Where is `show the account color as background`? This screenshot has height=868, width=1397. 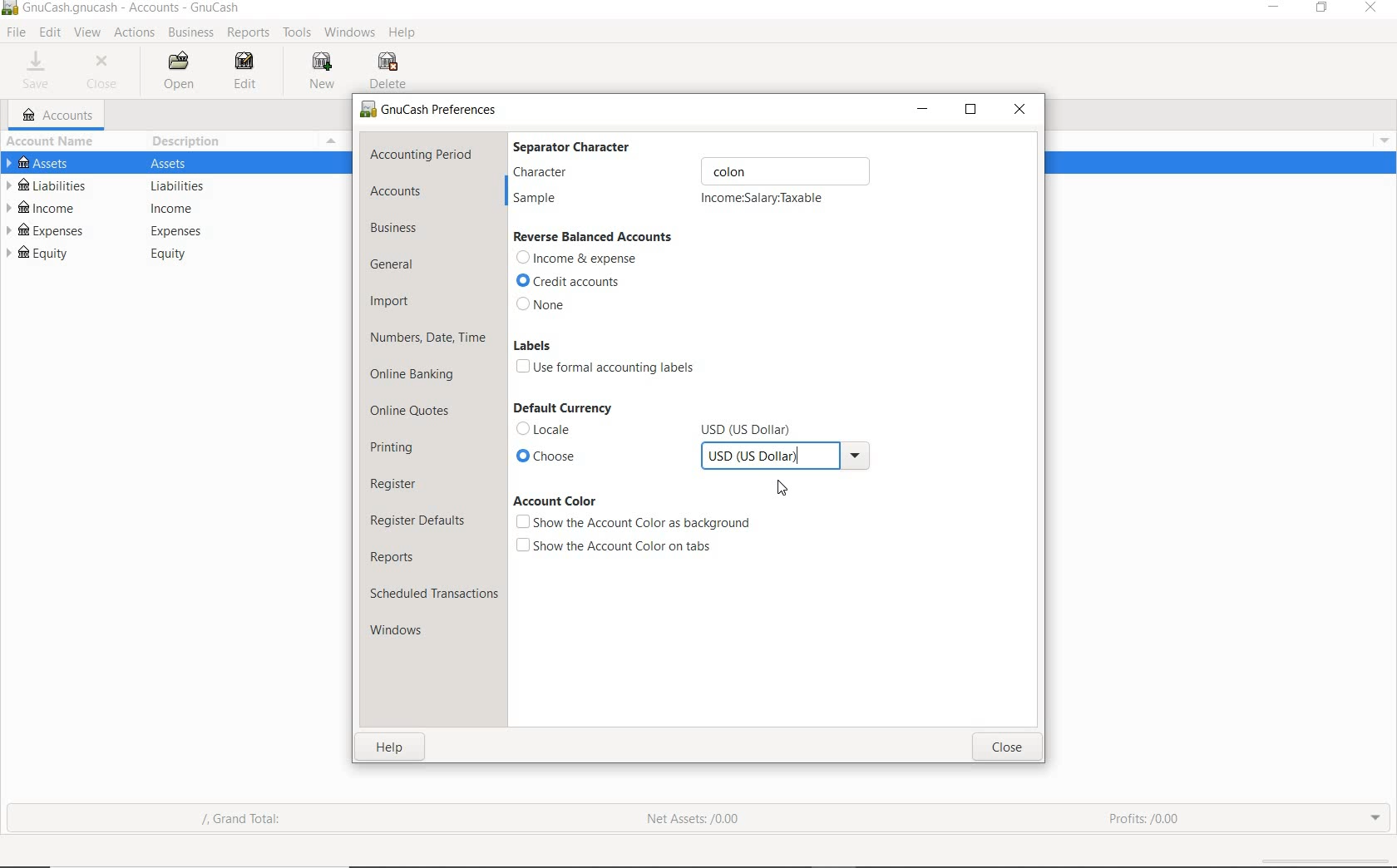
show the account color as background is located at coordinates (633, 523).